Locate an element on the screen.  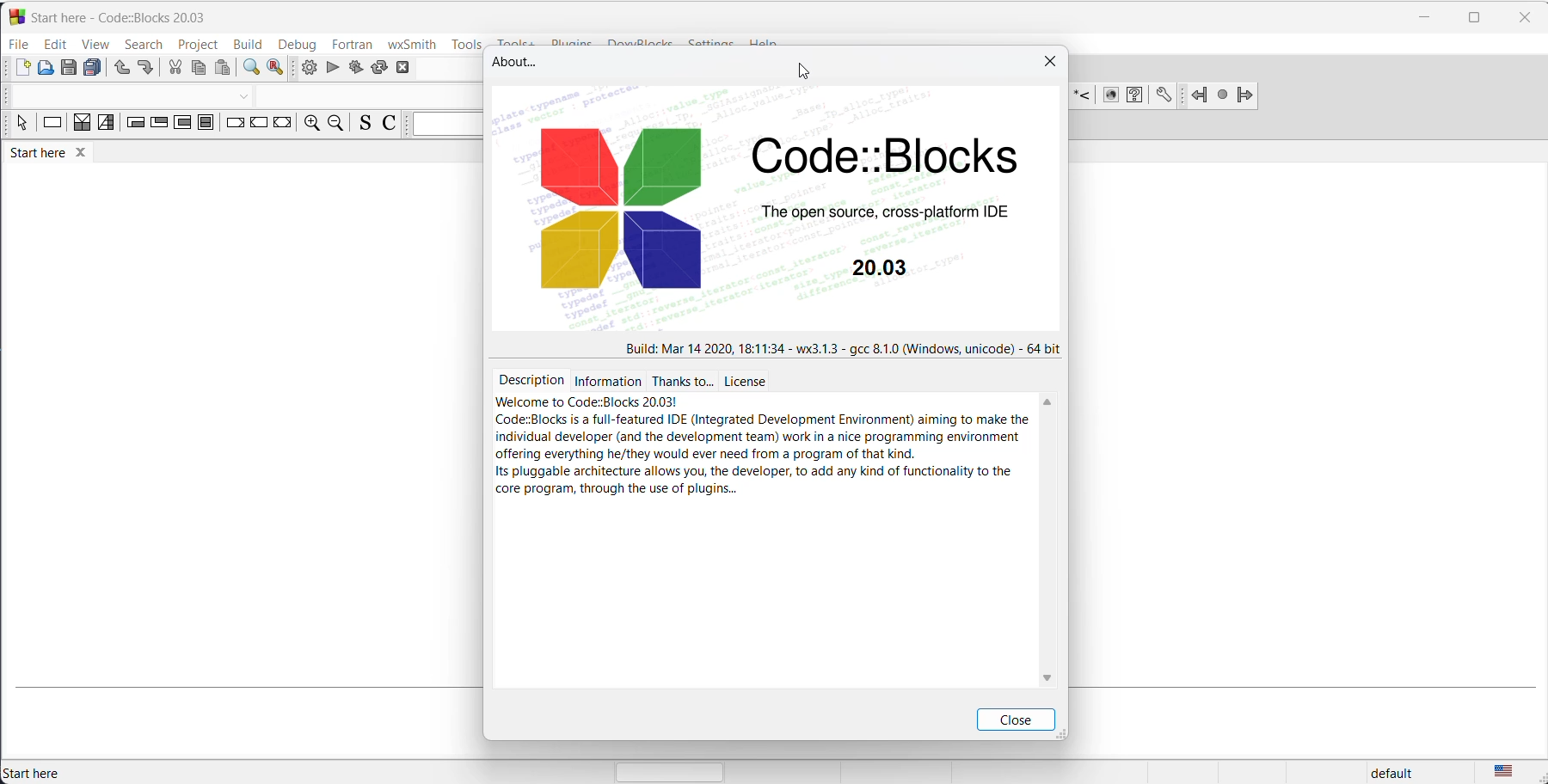
view is located at coordinates (96, 44).